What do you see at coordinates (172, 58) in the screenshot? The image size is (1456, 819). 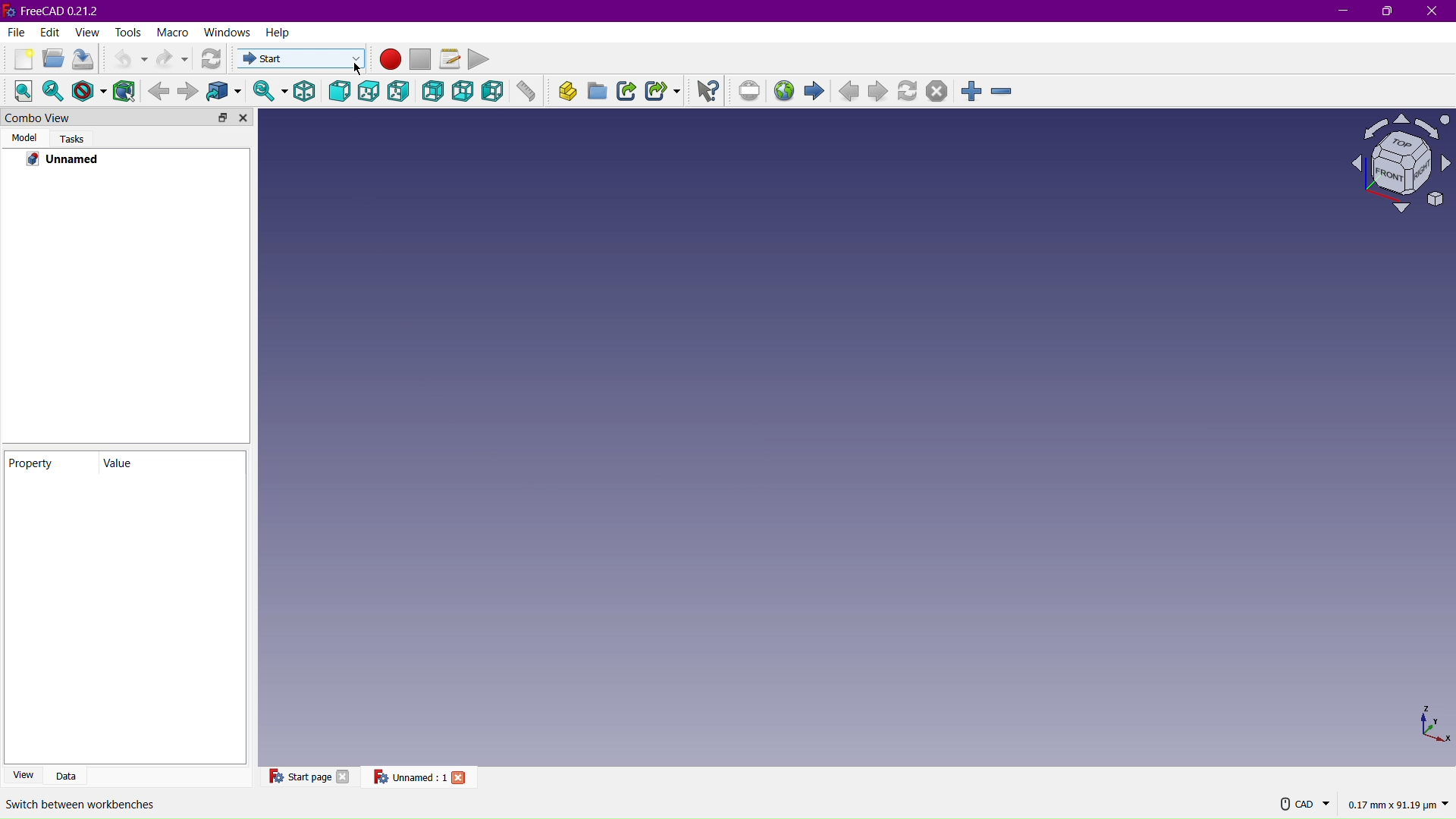 I see `Redo` at bounding box center [172, 58].